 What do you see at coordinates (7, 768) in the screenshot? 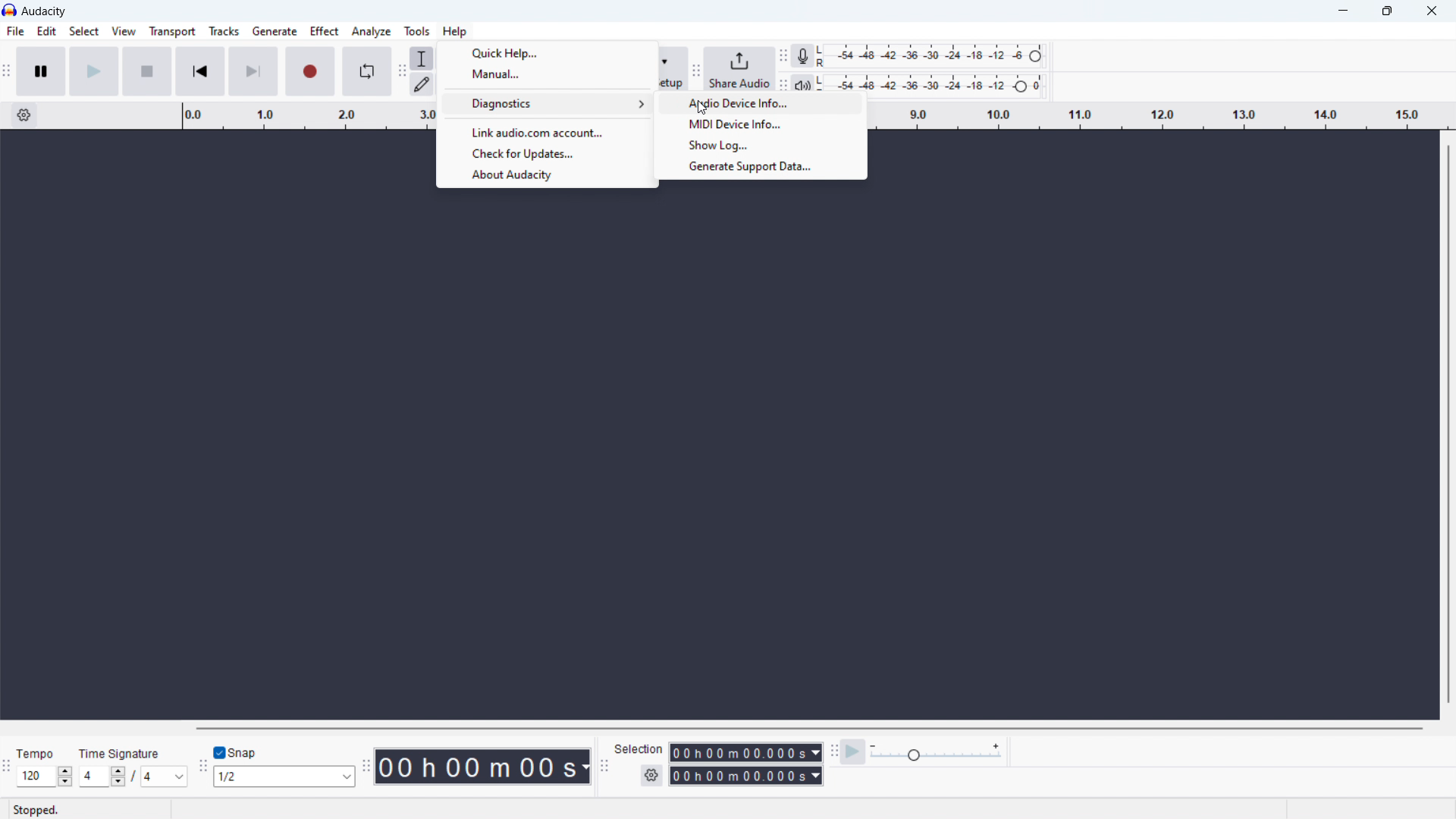
I see `time signature toolbar` at bounding box center [7, 768].